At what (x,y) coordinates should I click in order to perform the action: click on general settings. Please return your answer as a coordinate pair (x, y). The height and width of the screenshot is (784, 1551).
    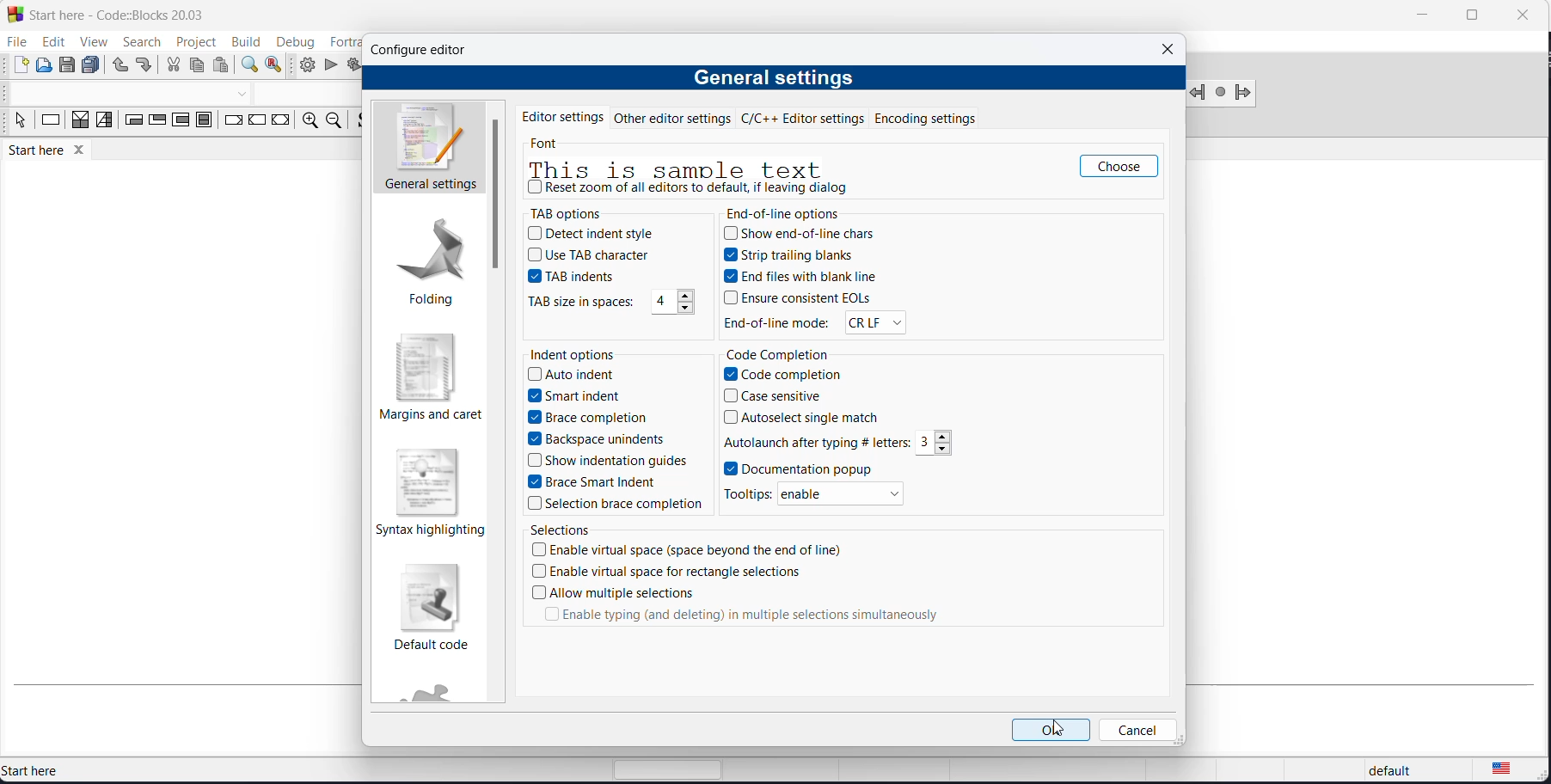
    Looking at the image, I should click on (428, 149).